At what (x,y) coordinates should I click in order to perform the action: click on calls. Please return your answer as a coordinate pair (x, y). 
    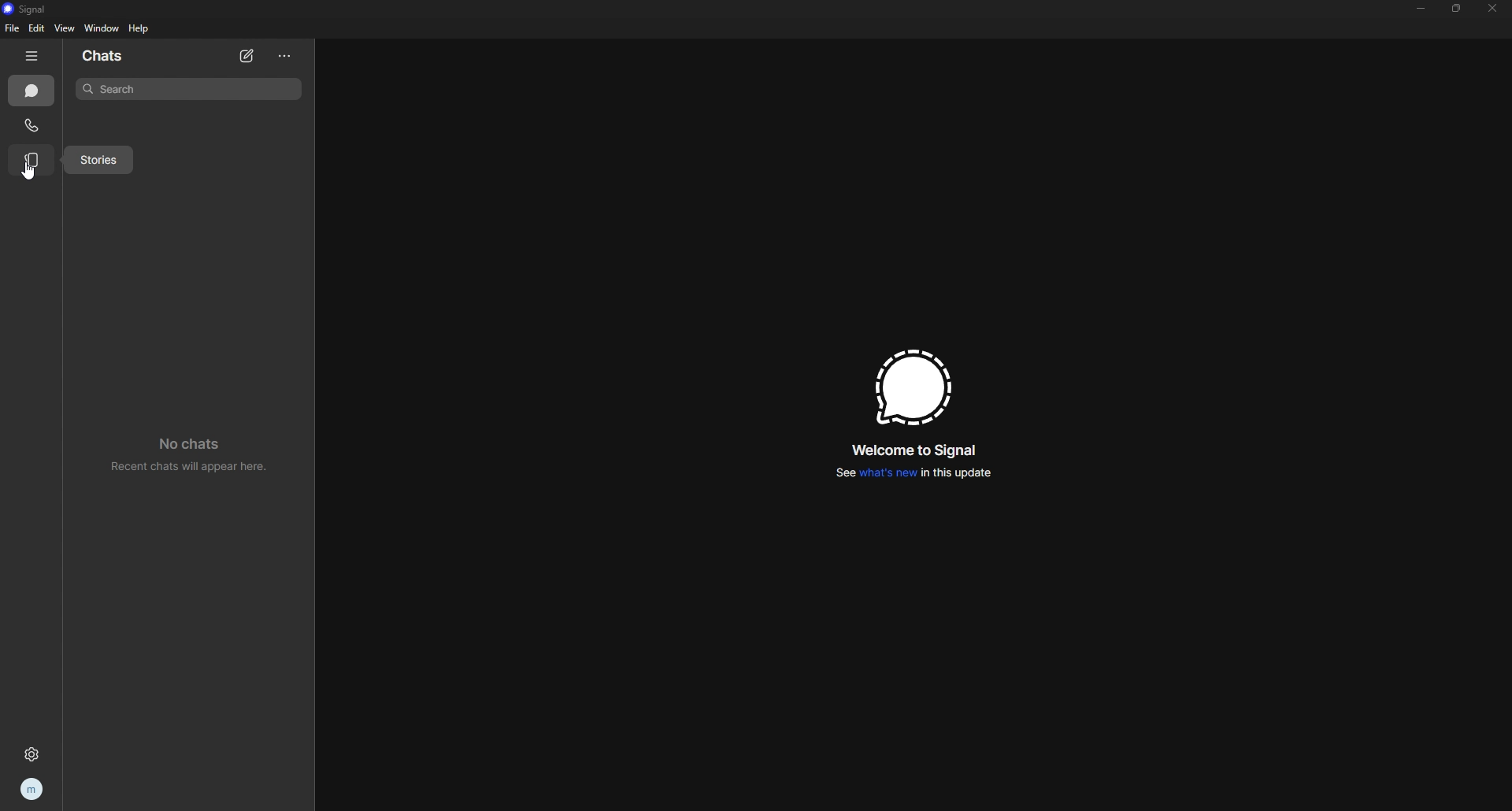
    Looking at the image, I should click on (31, 124).